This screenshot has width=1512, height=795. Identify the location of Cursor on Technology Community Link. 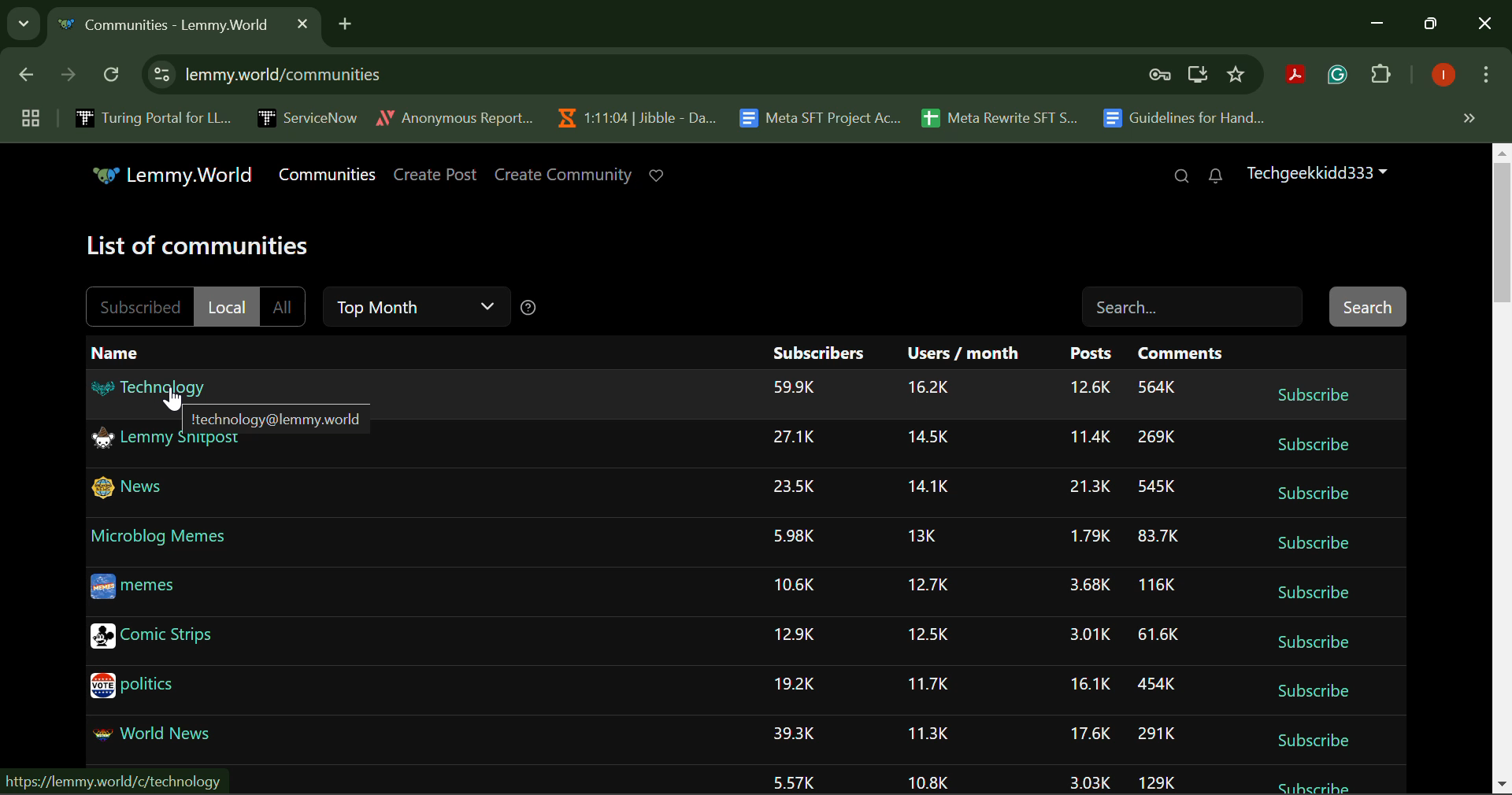
(147, 385).